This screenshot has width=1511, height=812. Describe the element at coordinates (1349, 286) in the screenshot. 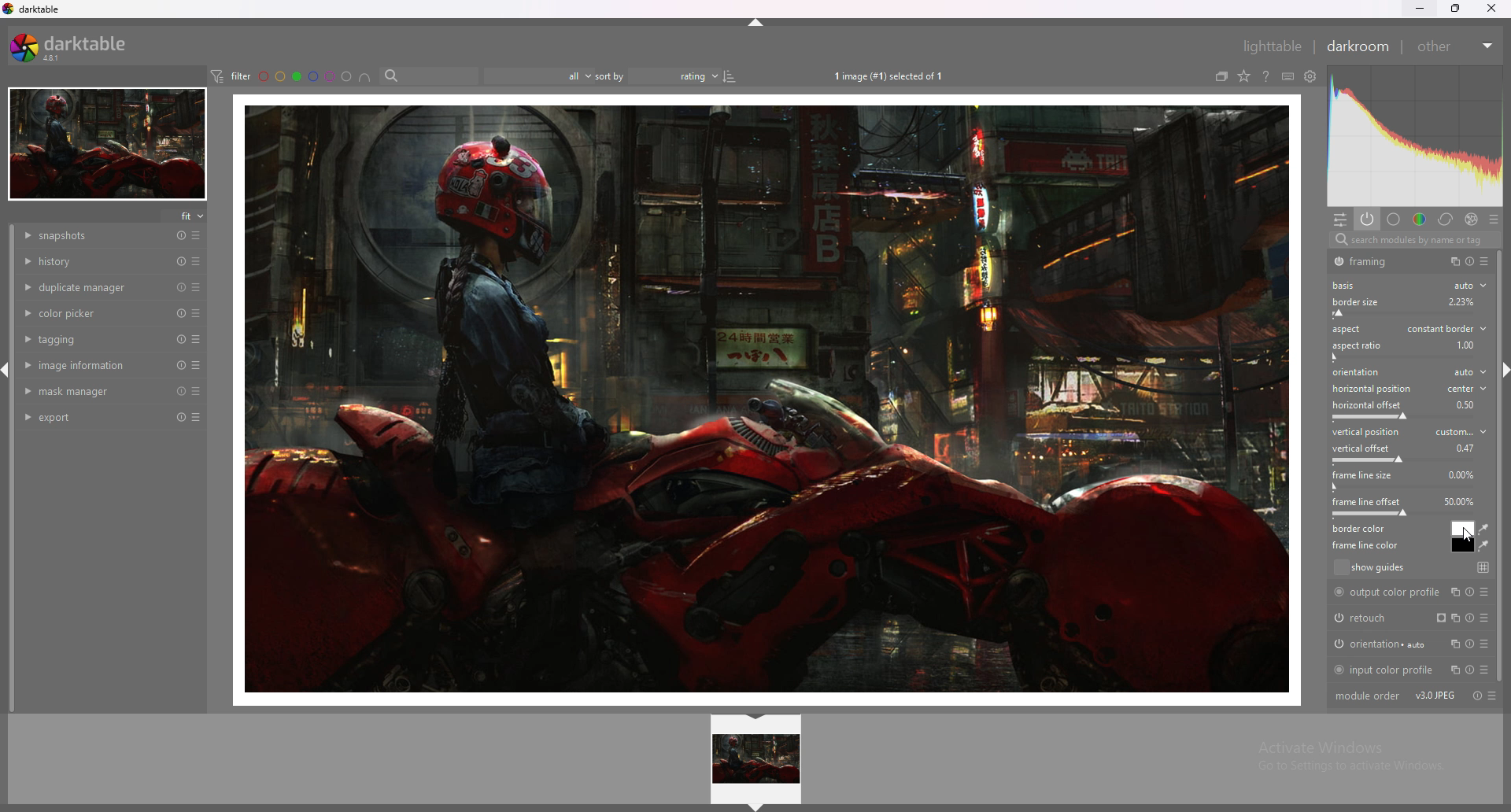

I see `basis` at that location.